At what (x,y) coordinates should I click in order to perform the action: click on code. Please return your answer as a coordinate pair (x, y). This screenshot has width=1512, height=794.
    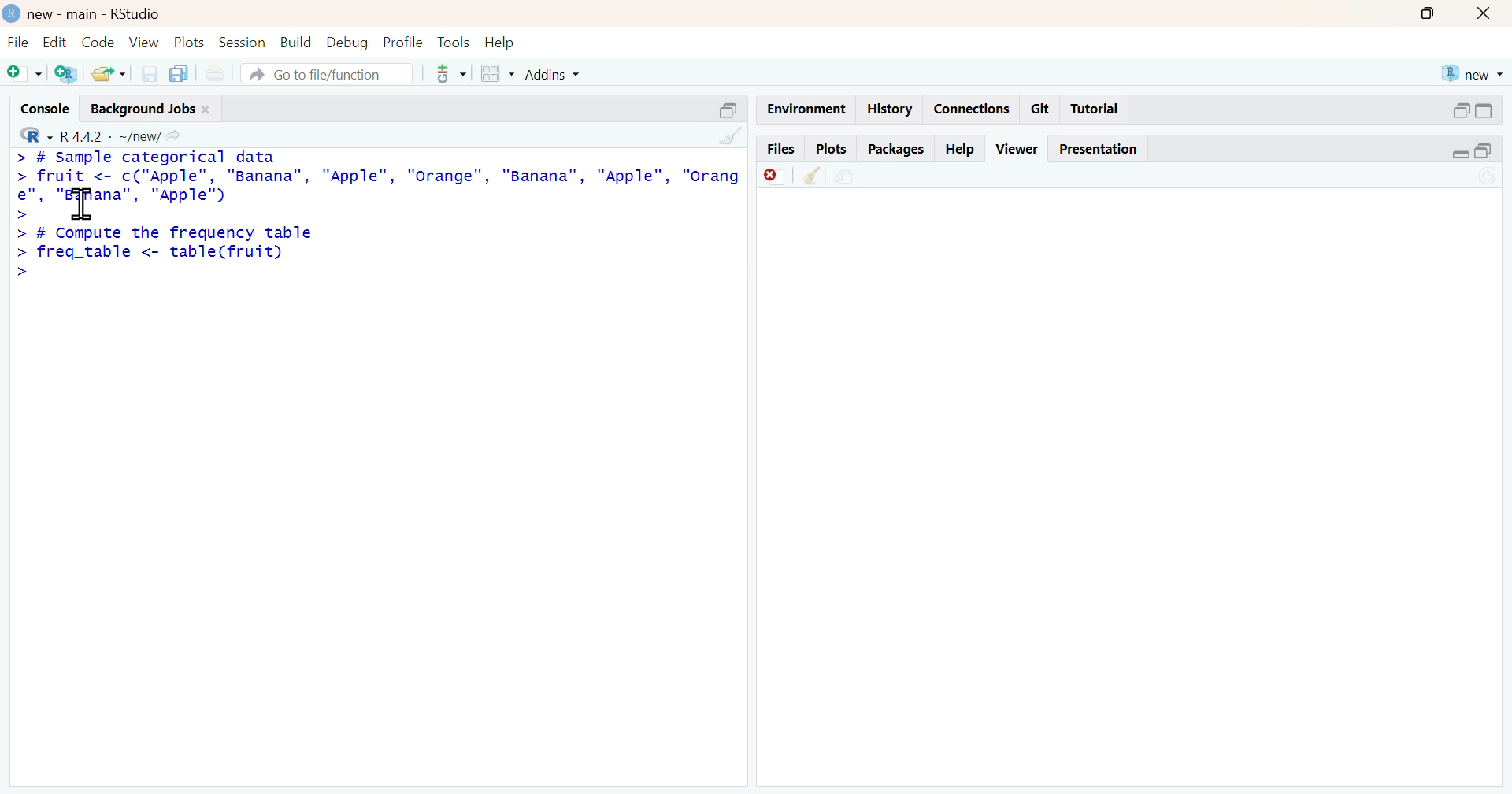
    Looking at the image, I should click on (102, 43).